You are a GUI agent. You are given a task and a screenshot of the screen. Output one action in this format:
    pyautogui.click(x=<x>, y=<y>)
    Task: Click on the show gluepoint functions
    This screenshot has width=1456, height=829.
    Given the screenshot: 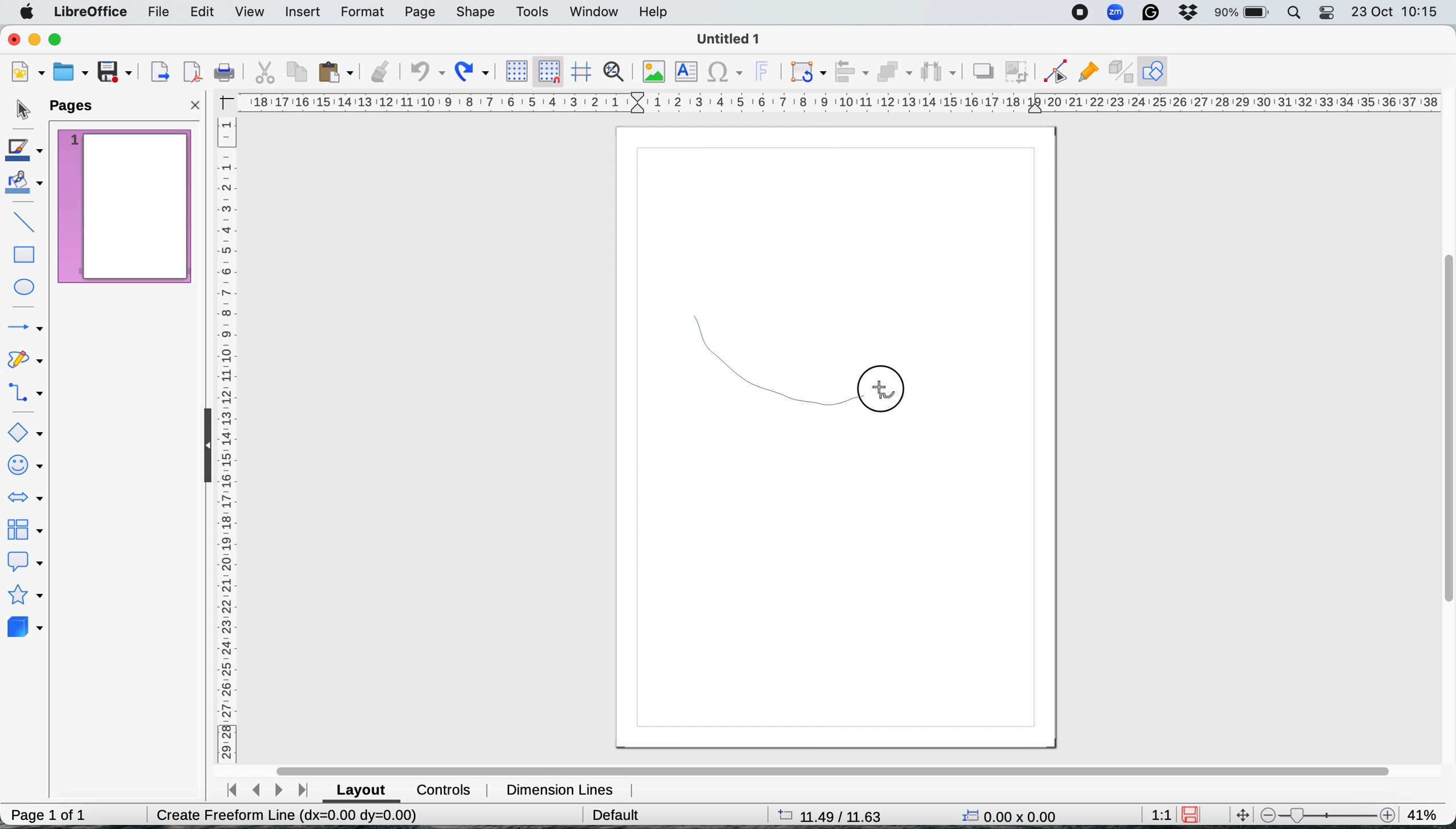 What is the action you would take?
    pyautogui.click(x=1088, y=71)
    